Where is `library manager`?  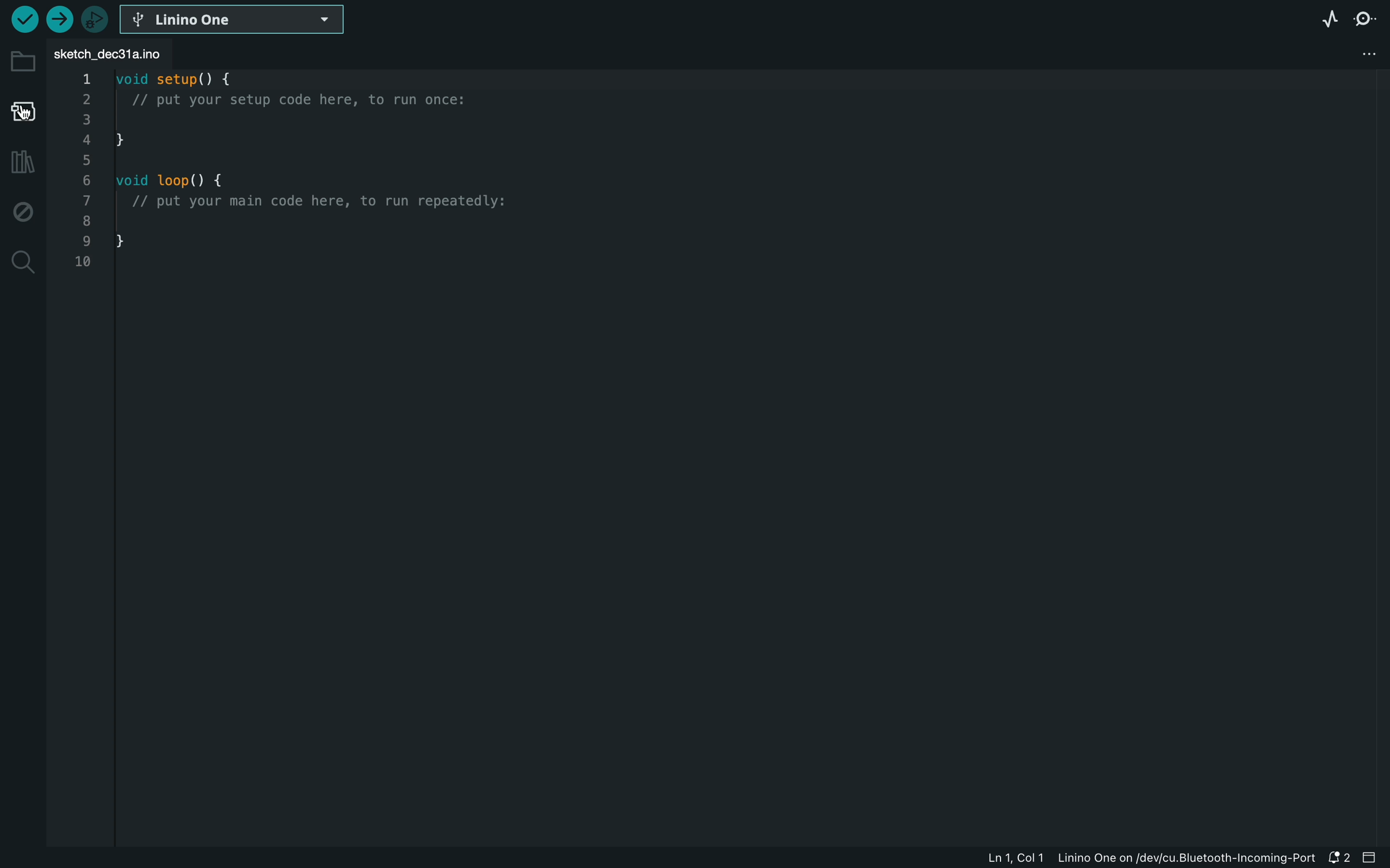 library manager is located at coordinates (22, 163).